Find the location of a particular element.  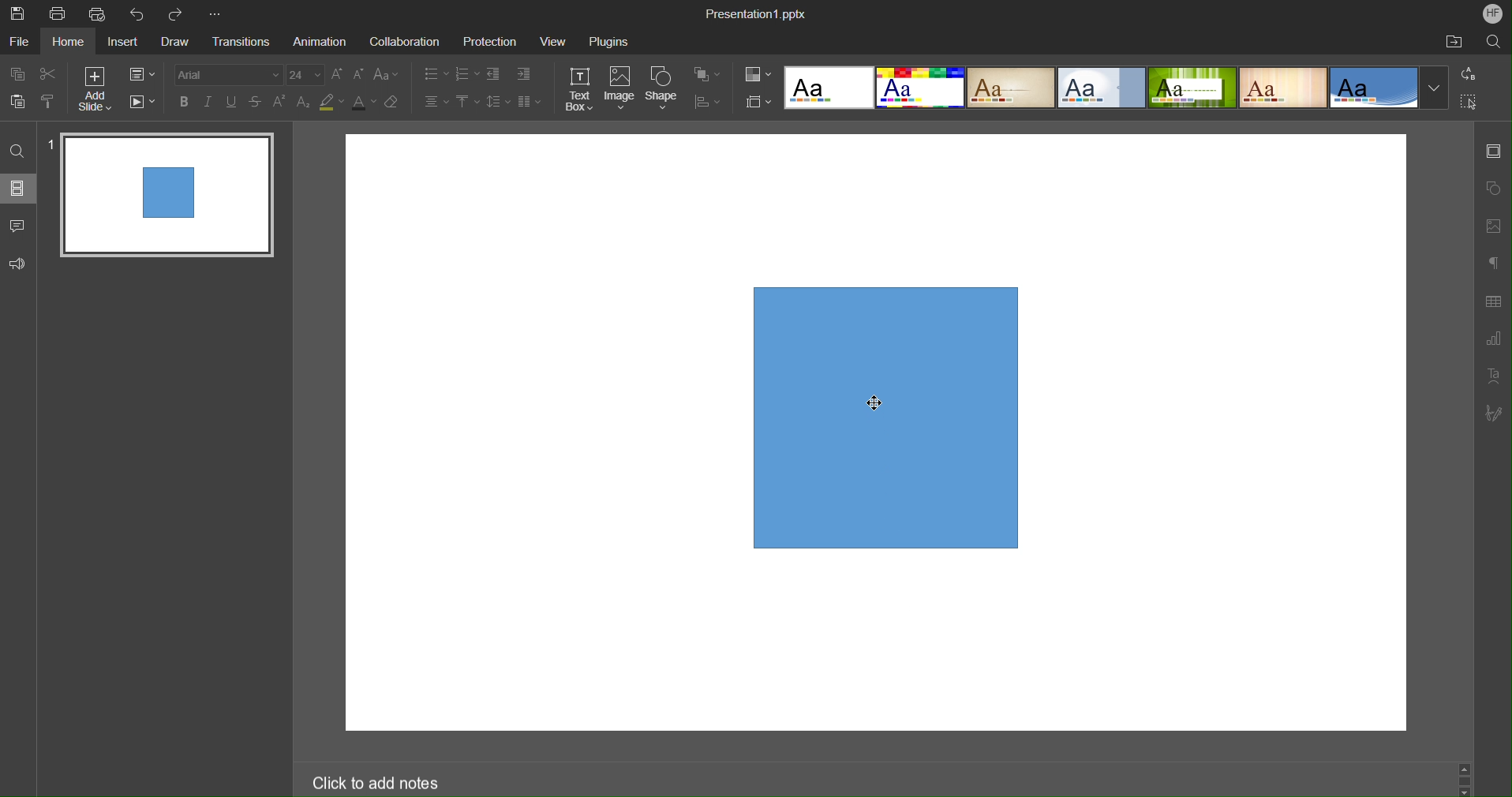

Slide Settings is located at coordinates (142, 73).